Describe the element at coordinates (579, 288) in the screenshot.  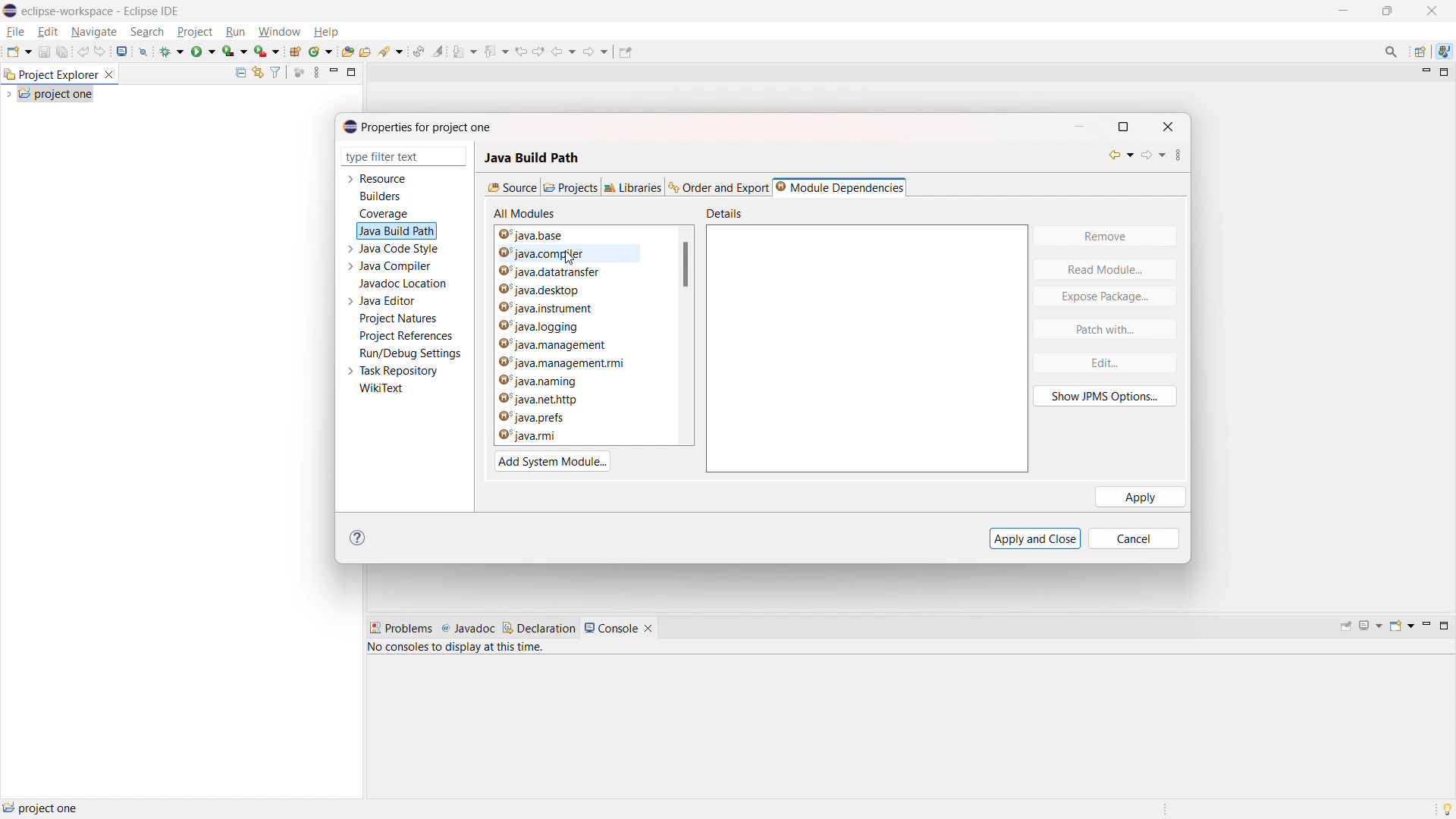
I see `java.desktop` at that location.